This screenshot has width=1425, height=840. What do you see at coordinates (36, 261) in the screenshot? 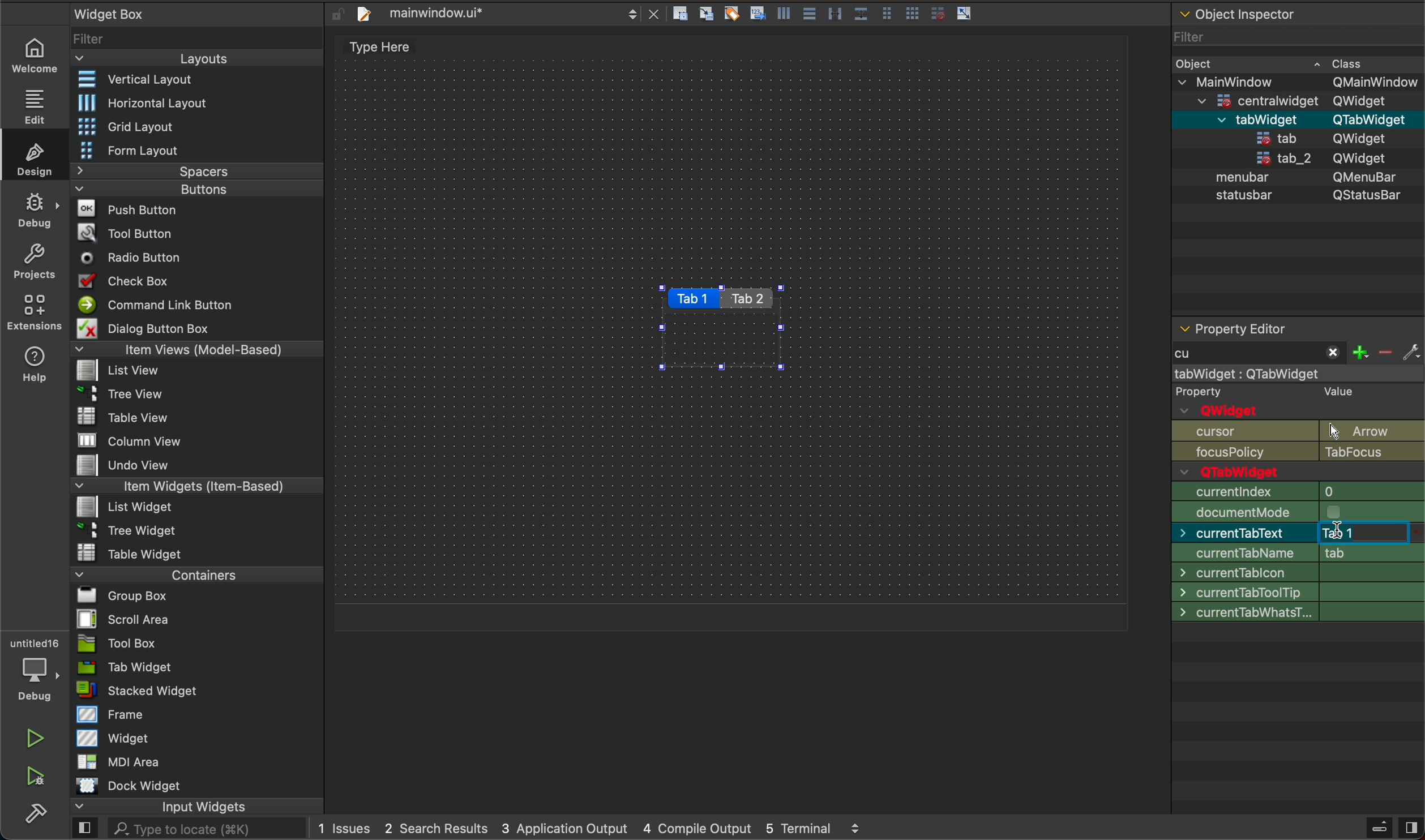
I see `projects` at bounding box center [36, 261].